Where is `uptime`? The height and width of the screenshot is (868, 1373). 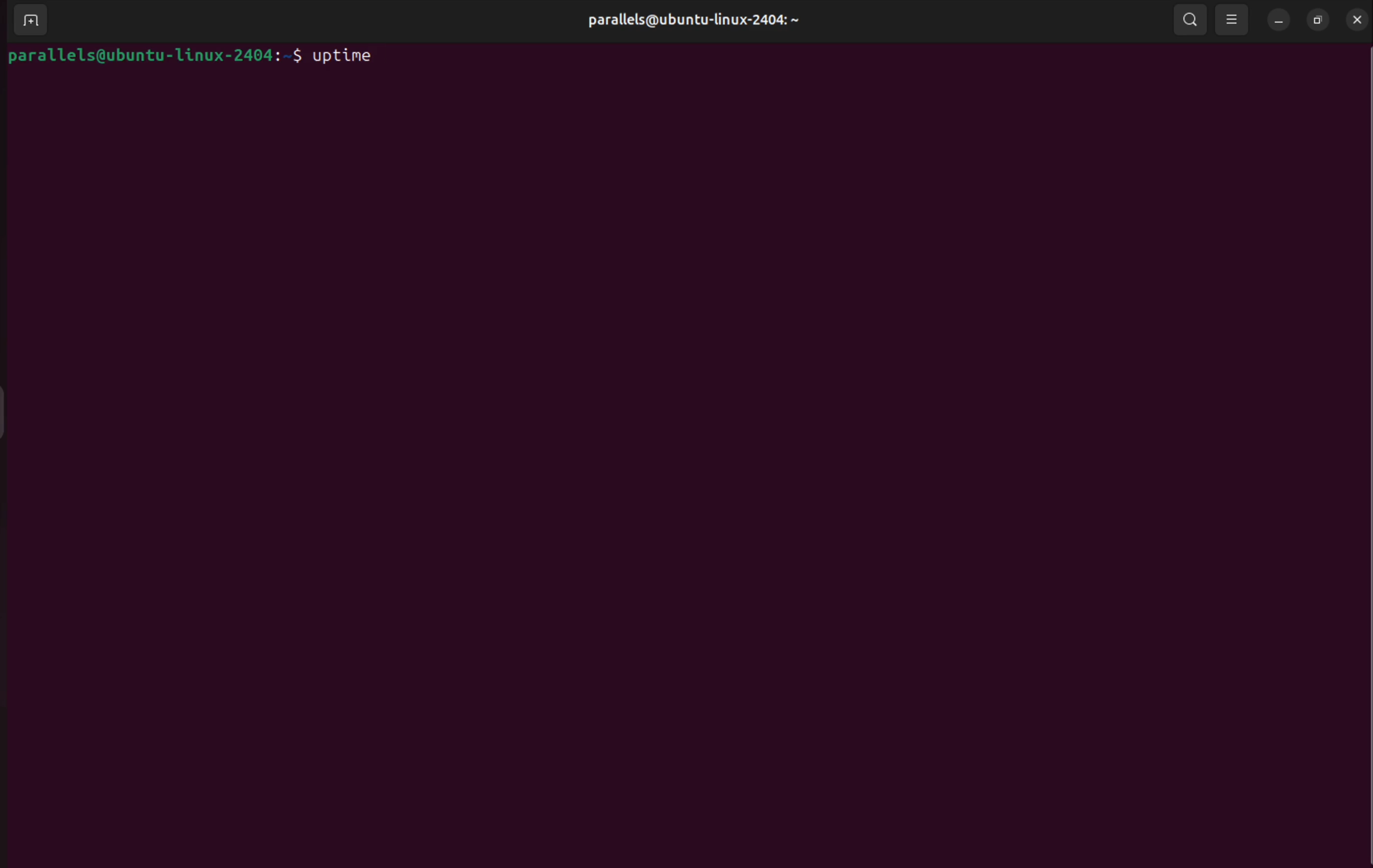 uptime is located at coordinates (343, 57).